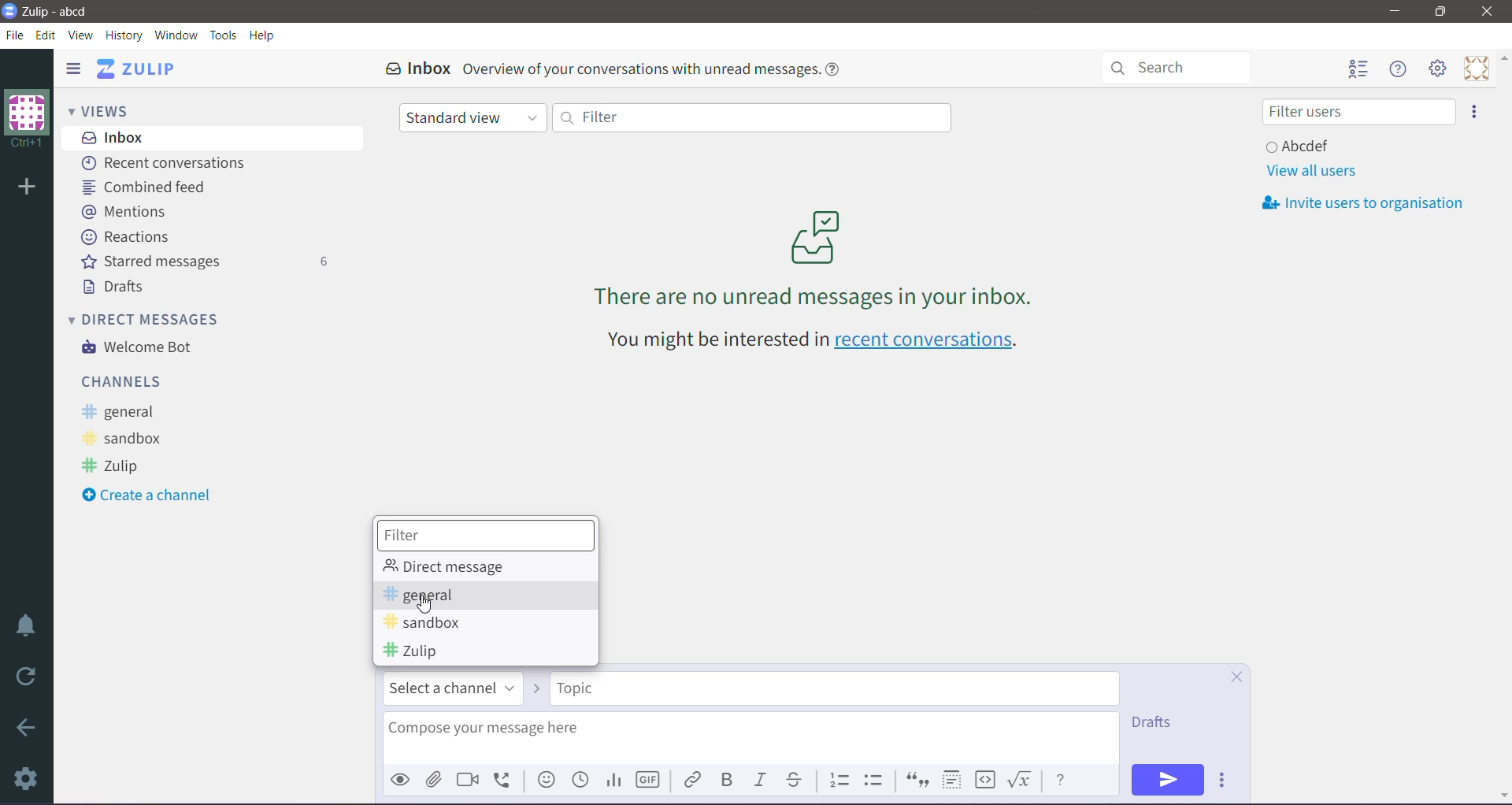 The image size is (1512, 805). I want to click on Math, so click(1022, 780).